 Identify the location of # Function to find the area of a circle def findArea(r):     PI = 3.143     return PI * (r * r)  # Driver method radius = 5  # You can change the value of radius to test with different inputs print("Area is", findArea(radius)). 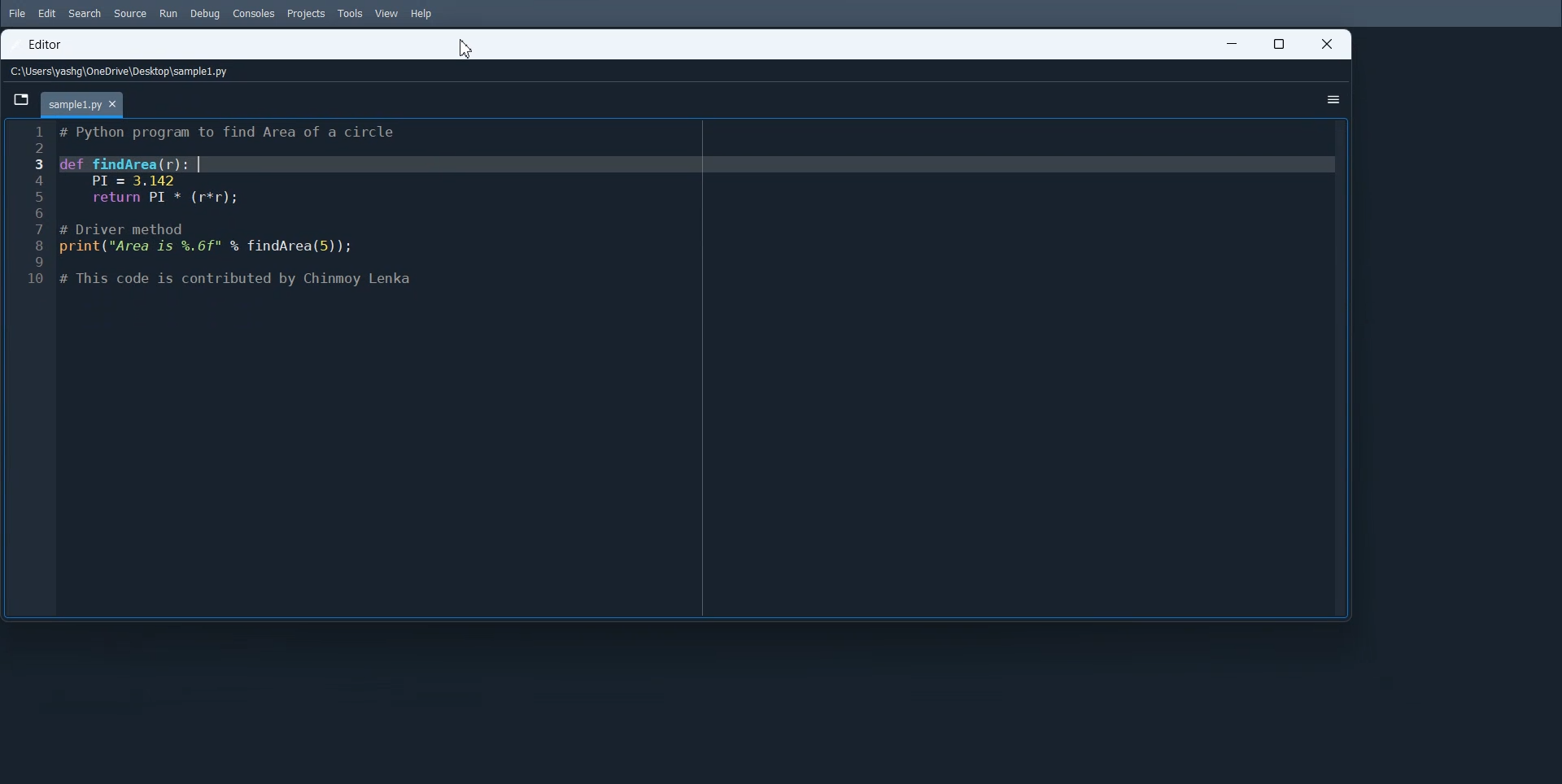
(702, 368).